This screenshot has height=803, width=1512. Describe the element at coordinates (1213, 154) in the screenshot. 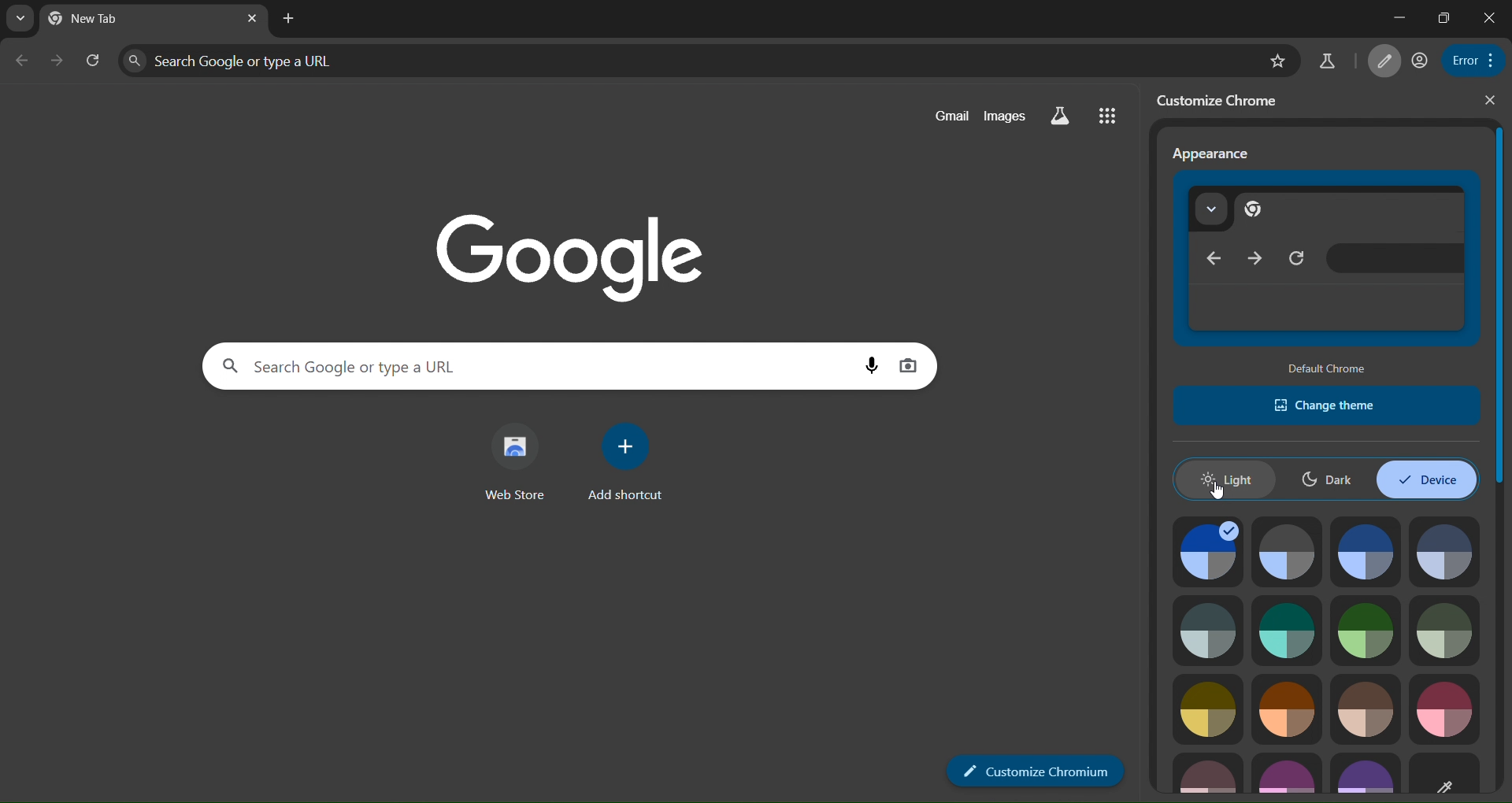

I see `appearance` at that location.